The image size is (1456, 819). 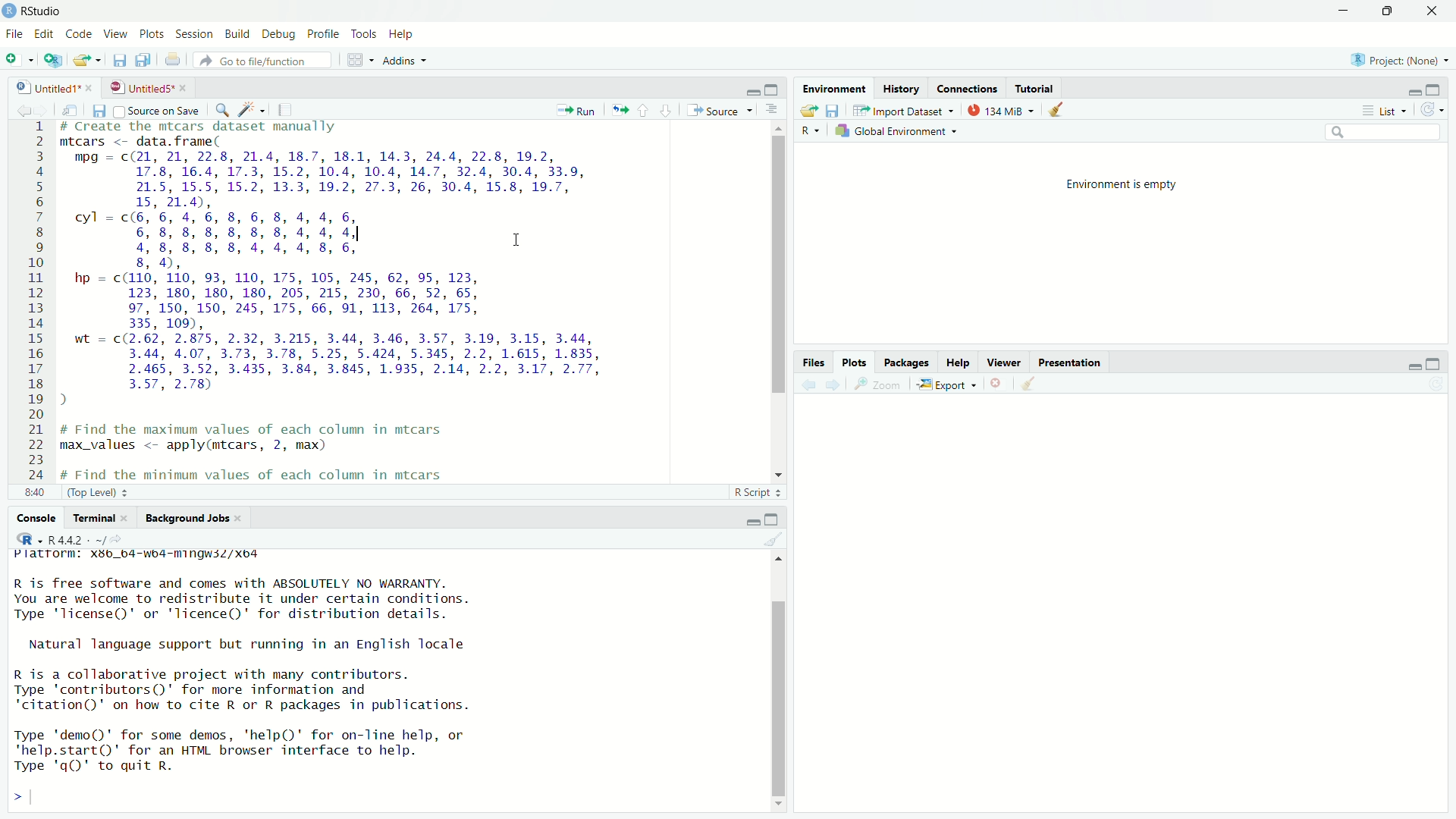 What do you see at coordinates (146, 87) in the screenshot?
I see `| Untitled5* *` at bounding box center [146, 87].